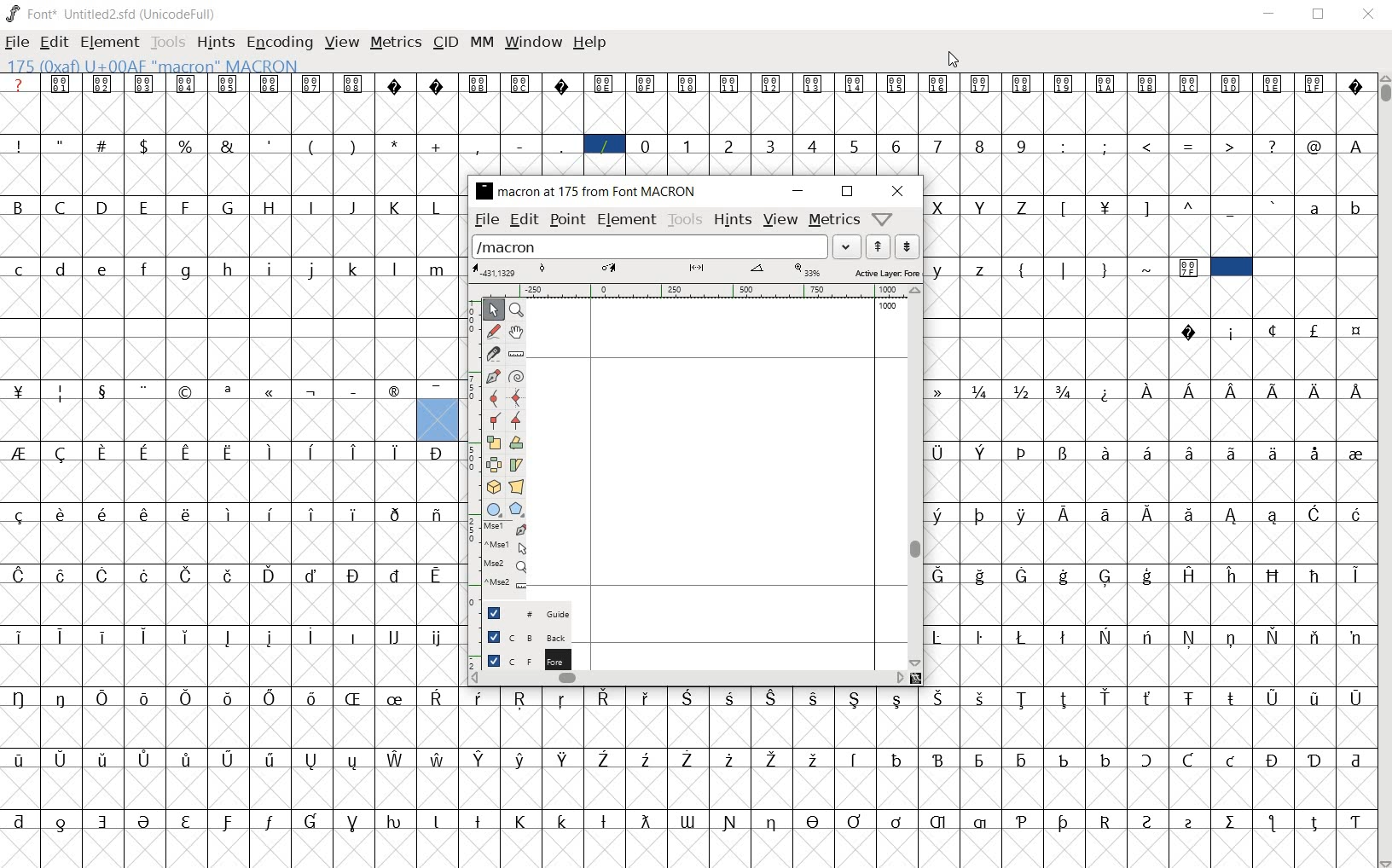 The width and height of the screenshot is (1392, 868). Describe the element at coordinates (438, 575) in the screenshot. I see `Symbol` at that location.